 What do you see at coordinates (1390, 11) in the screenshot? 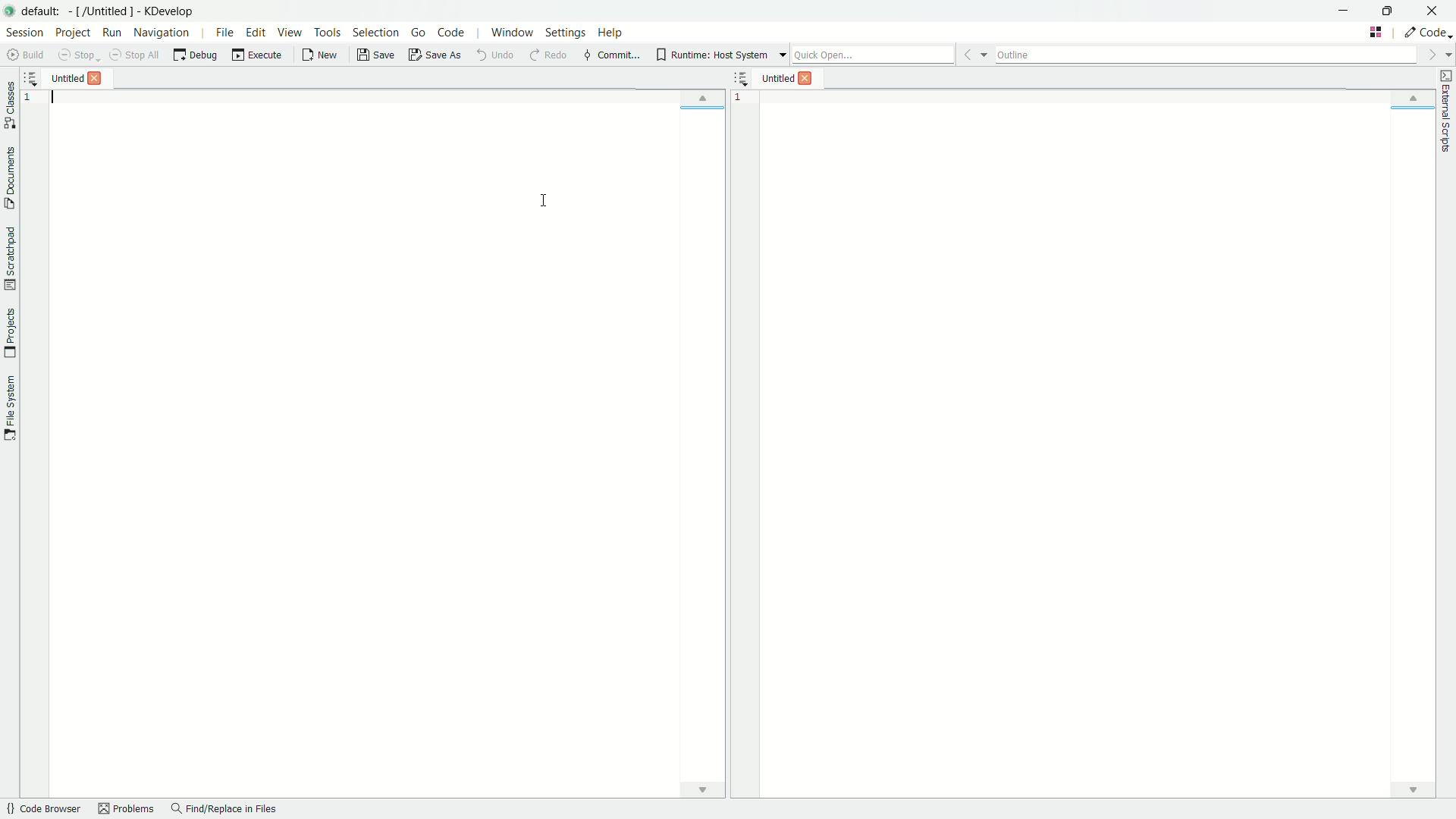
I see `maximize or restore` at bounding box center [1390, 11].